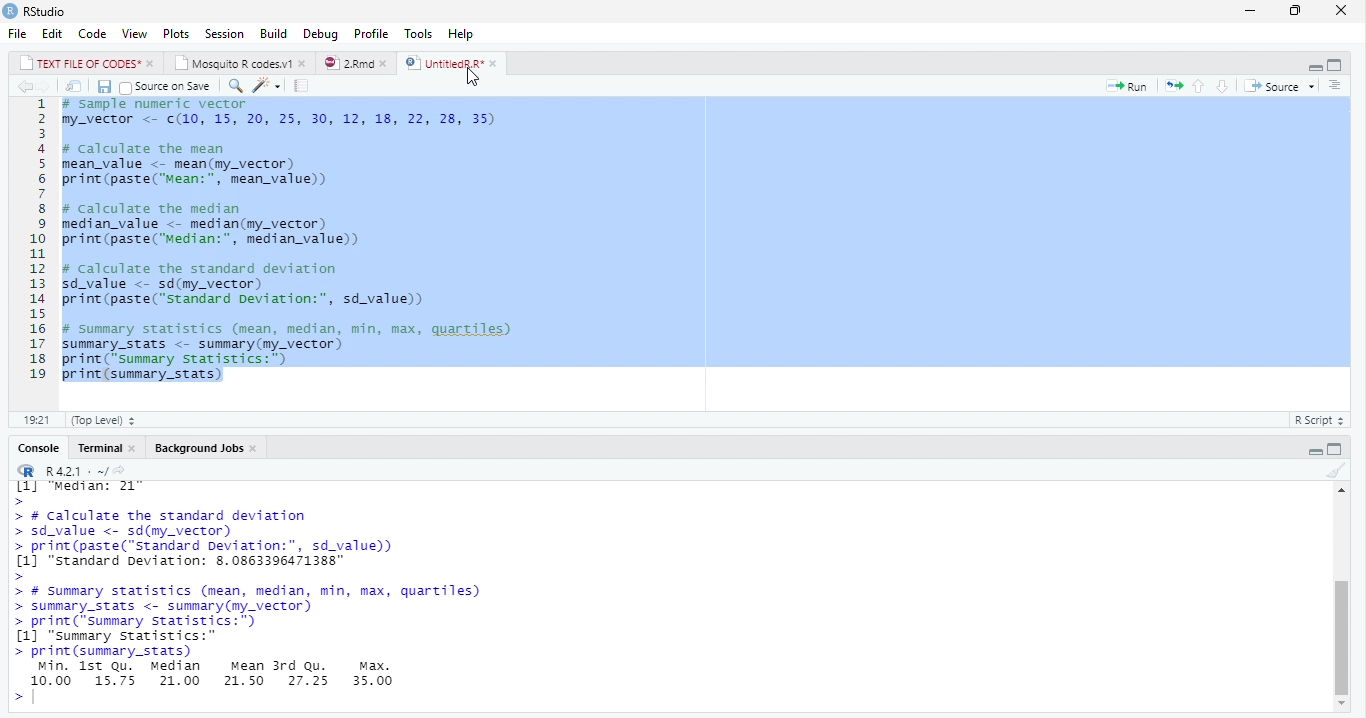  What do you see at coordinates (1199, 87) in the screenshot?
I see `previous section` at bounding box center [1199, 87].